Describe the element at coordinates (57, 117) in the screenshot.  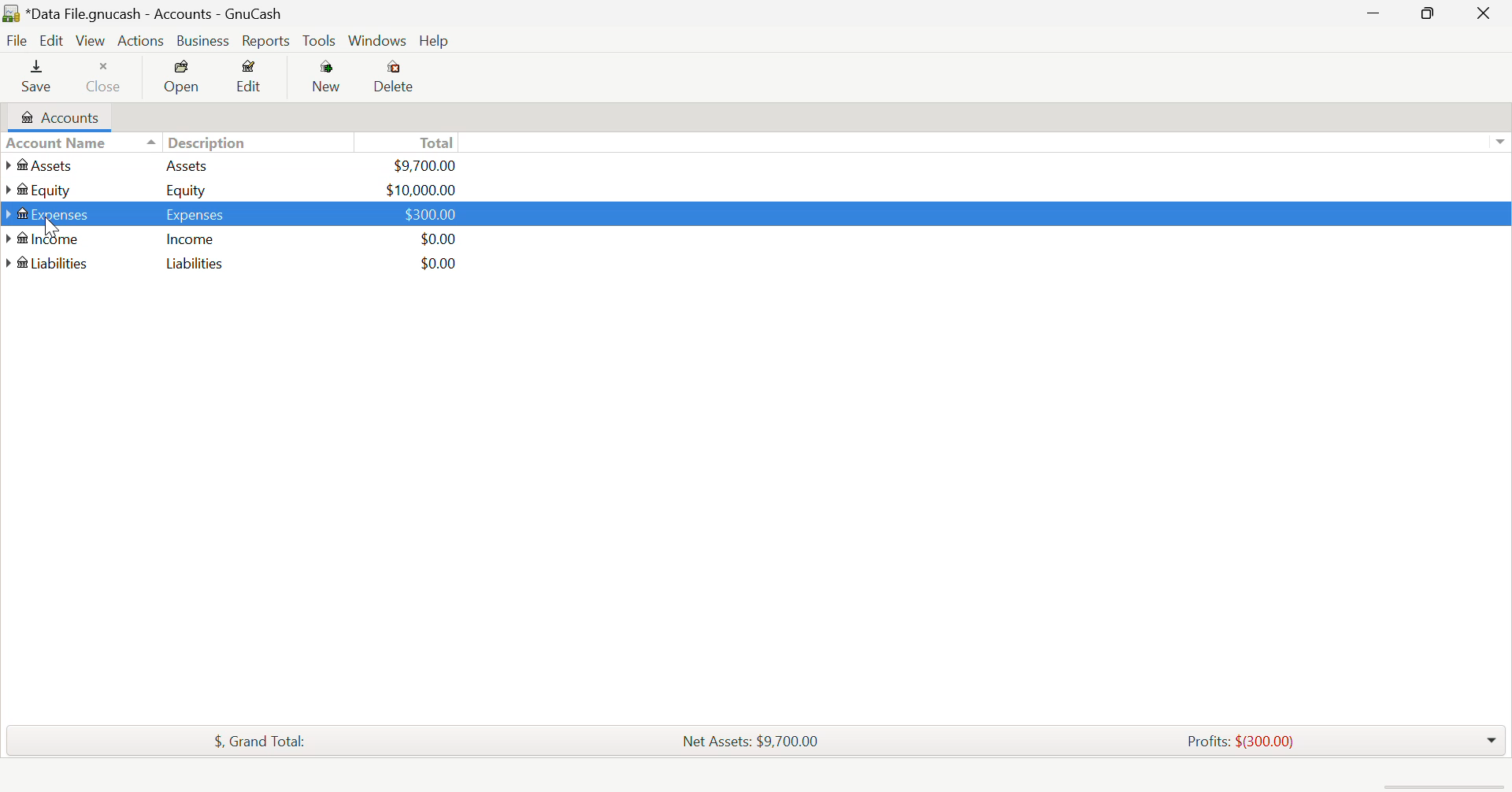
I see `Accounts` at that location.